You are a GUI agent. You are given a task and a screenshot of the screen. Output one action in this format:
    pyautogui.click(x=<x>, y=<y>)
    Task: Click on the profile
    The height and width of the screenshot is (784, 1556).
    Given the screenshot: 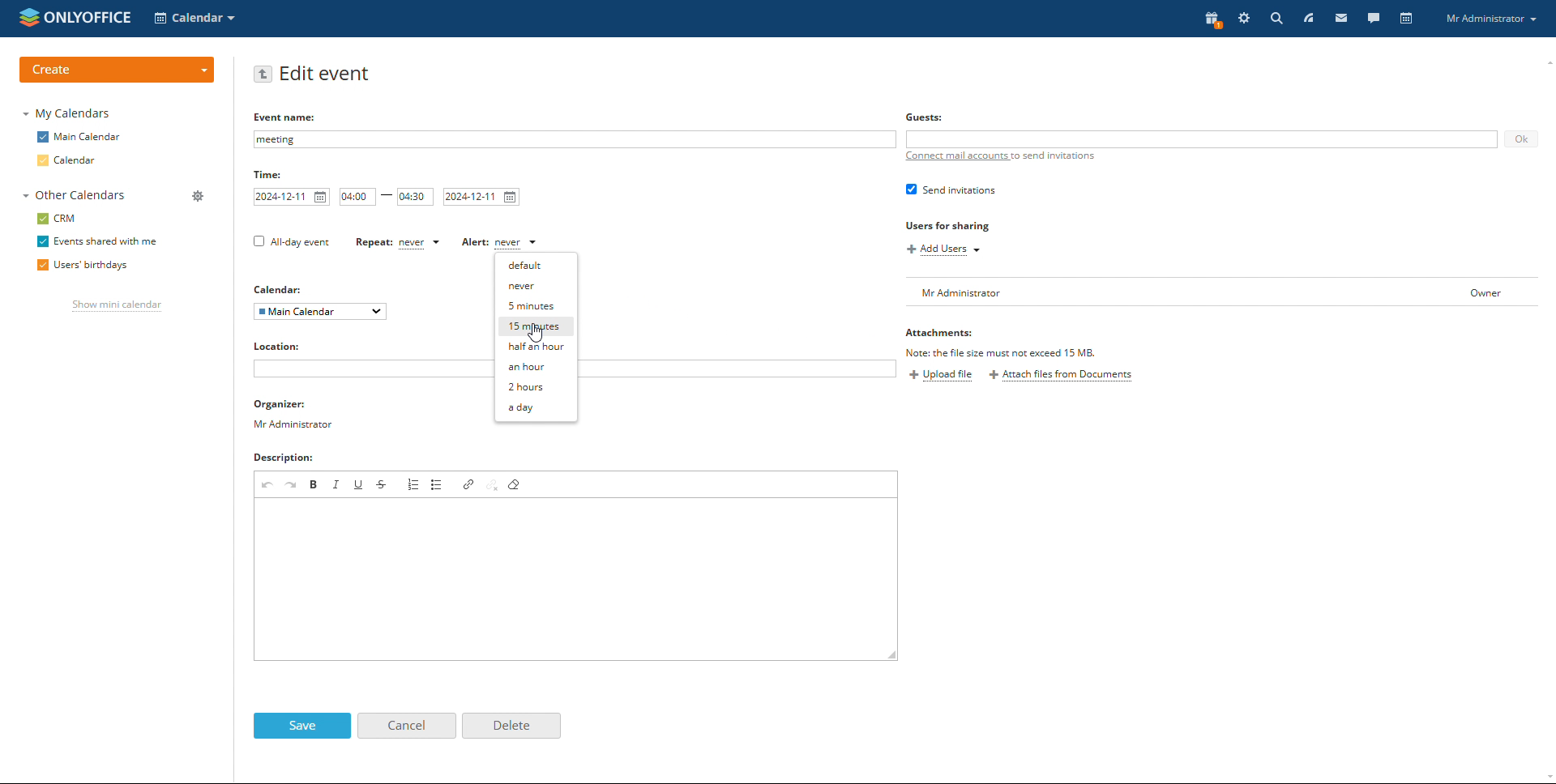 What is the action you would take?
    pyautogui.click(x=1494, y=19)
    